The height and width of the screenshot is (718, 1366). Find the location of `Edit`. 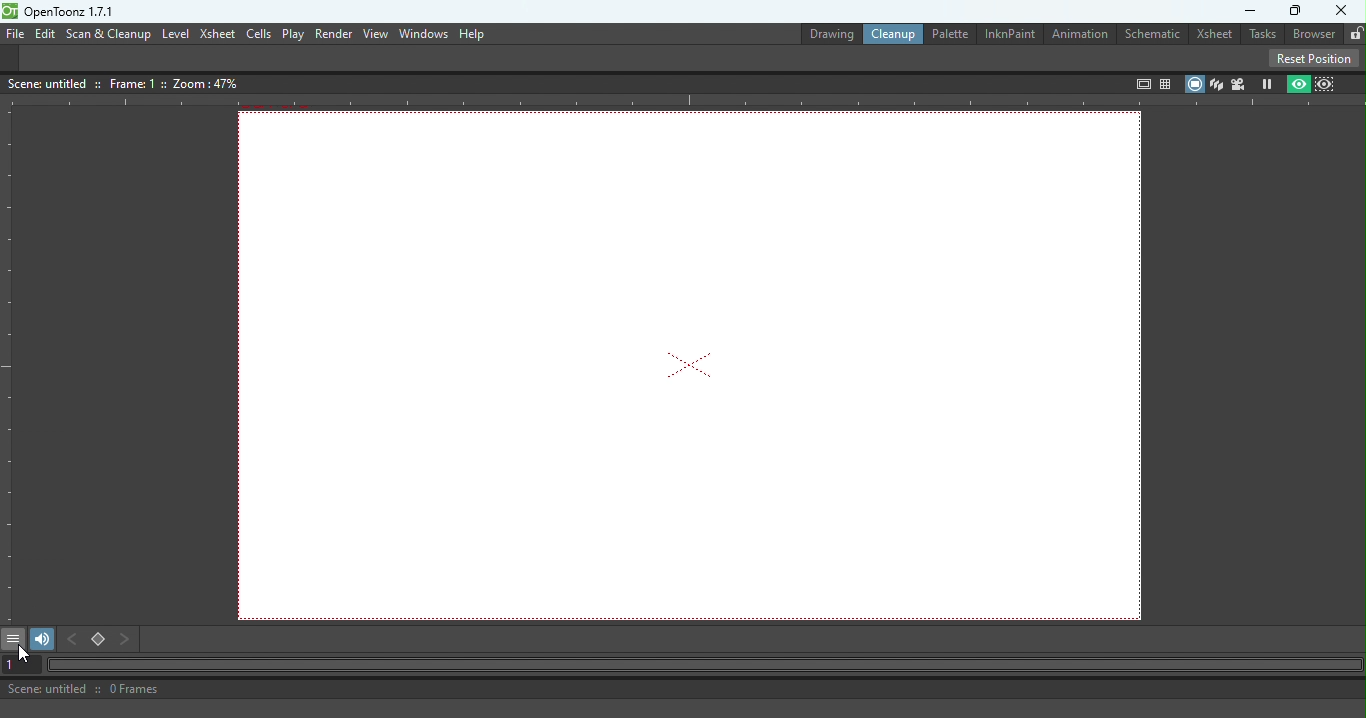

Edit is located at coordinates (44, 33).